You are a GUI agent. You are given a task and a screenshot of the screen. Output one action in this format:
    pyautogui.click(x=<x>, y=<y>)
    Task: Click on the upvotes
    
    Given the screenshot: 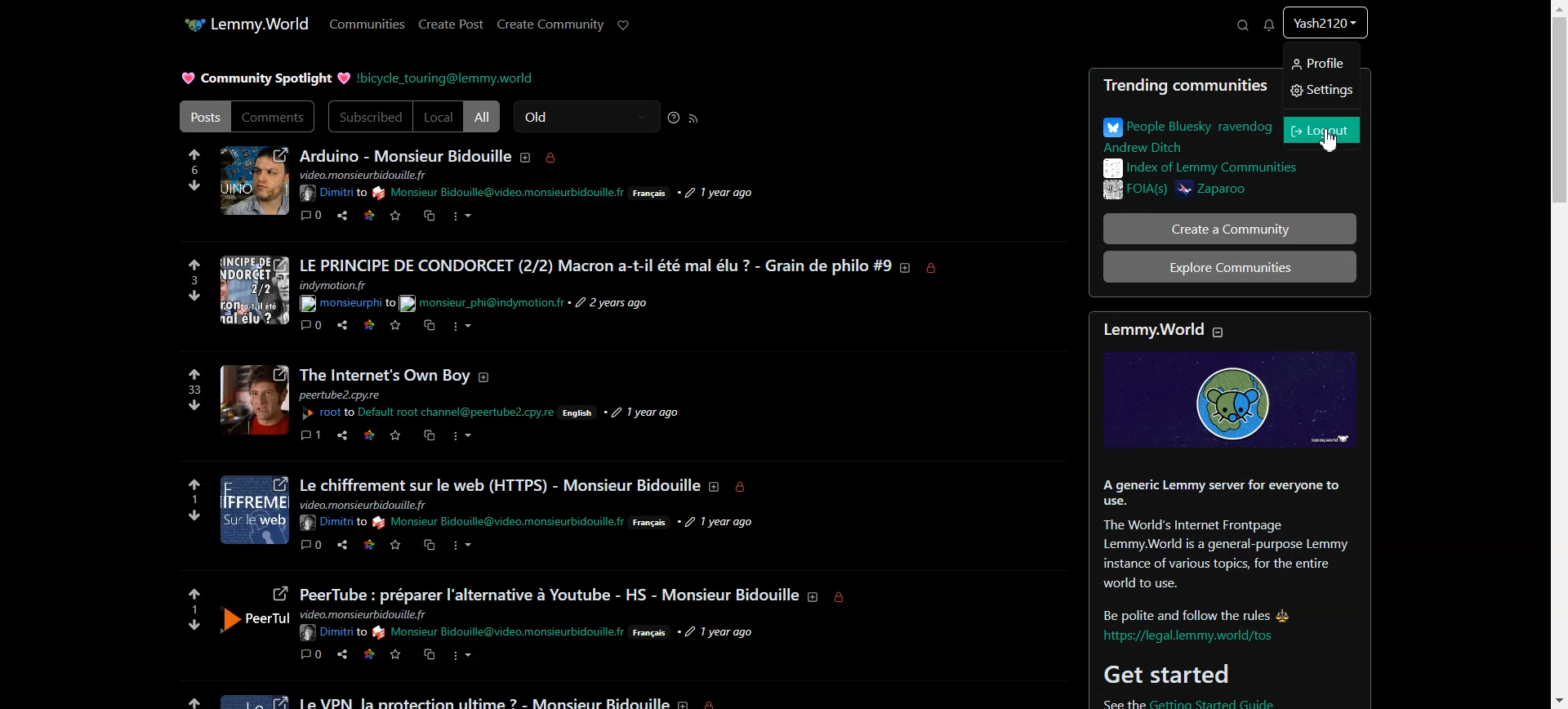 What is the action you would take?
    pyautogui.click(x=185, y=696)
    